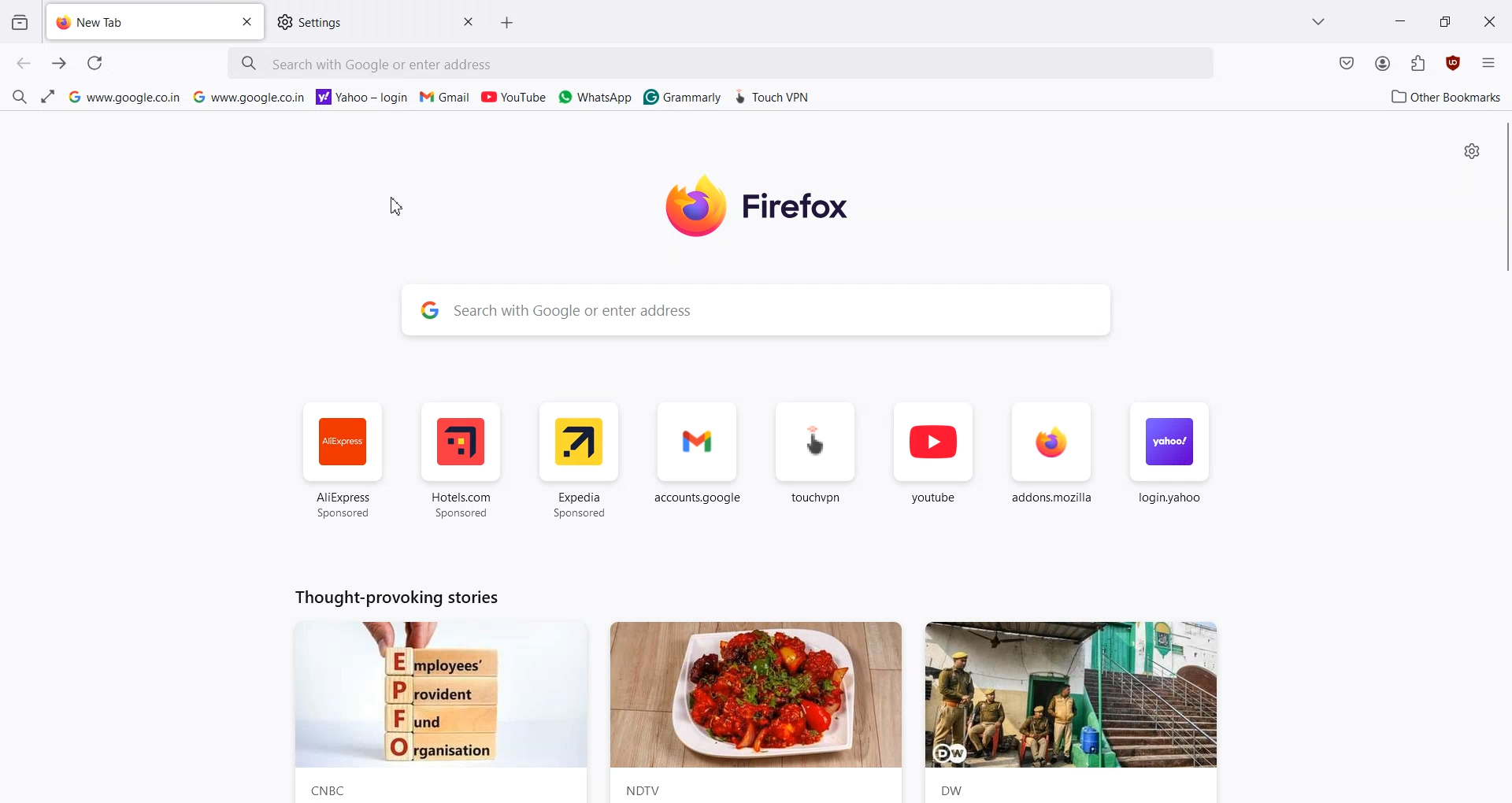 The height and width of the screenshot is (803, 1512). What do you see at coordinates (1503, 194) in the screenshot?
I see `Vertical Scroll bar` at bounding box center [1503, 194].